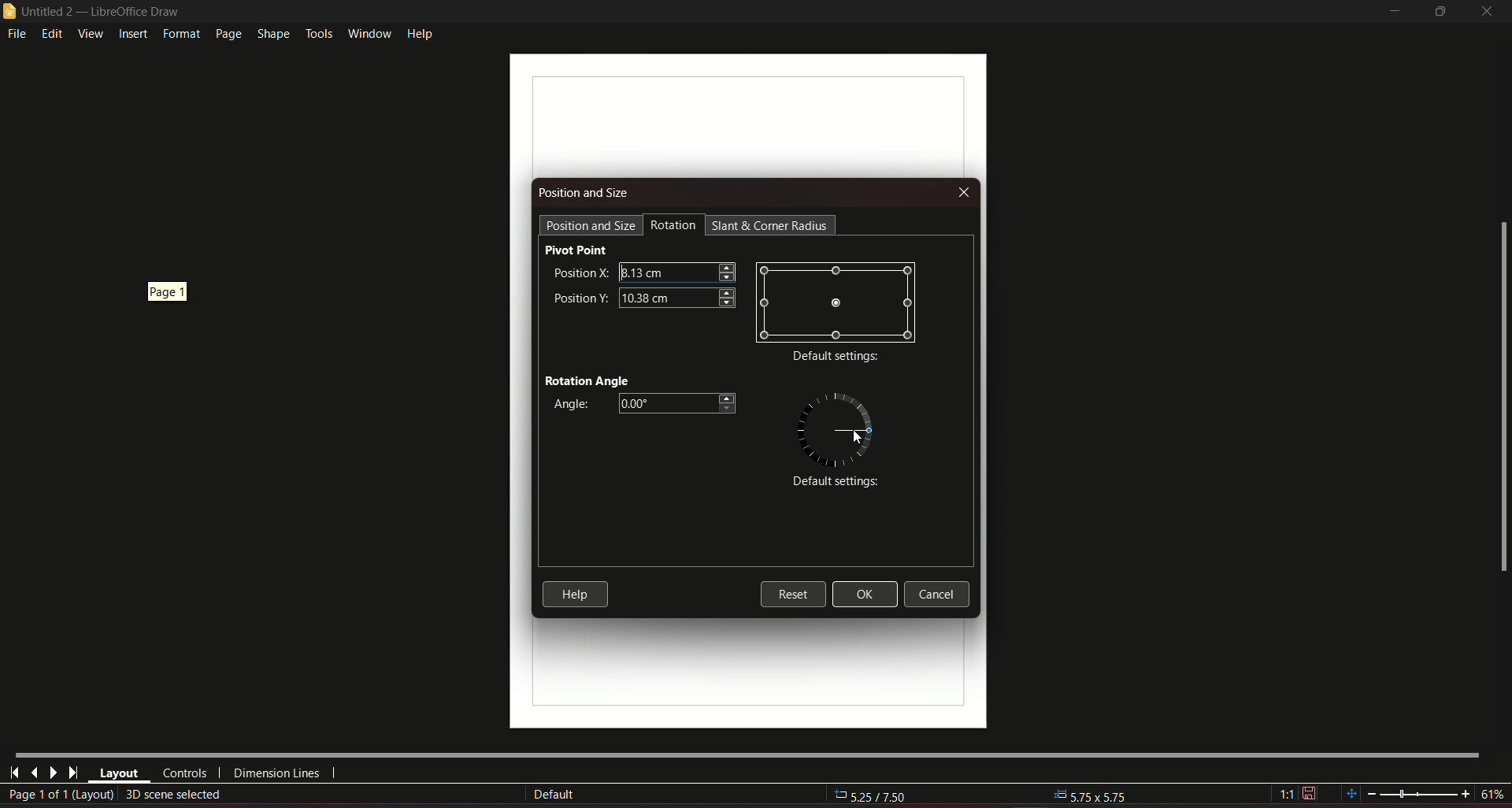 This screenshot has height=808, width=1512. Describe the element at coordinates (15, 771) in the screenshot. I see `first page` at that location.